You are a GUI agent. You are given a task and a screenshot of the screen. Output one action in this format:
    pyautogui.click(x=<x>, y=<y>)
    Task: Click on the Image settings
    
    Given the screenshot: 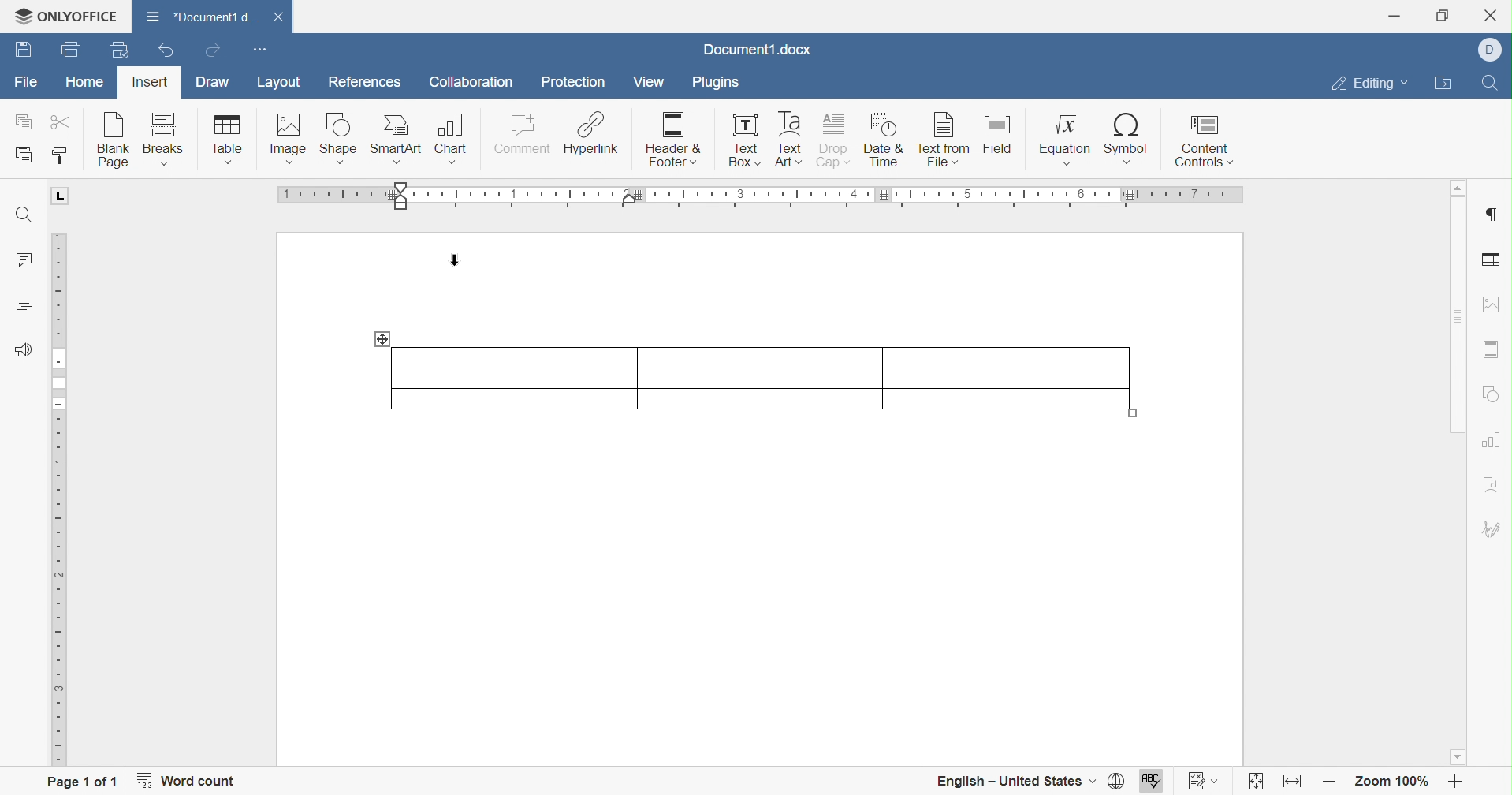 What is the action you would take?
    pyautogui.click(x=1494, y=305)
    